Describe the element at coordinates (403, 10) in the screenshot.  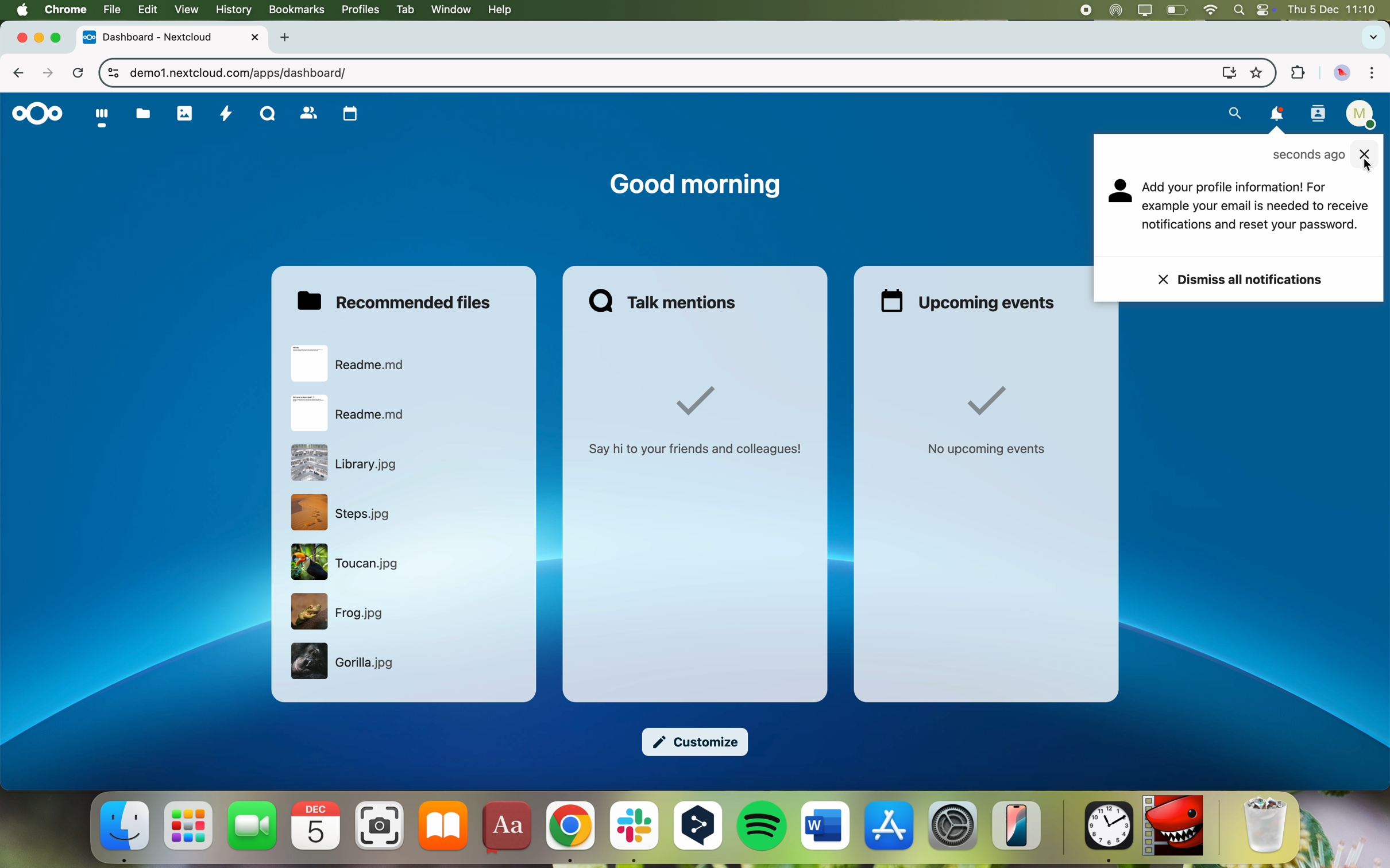
I see `tab` at that location.